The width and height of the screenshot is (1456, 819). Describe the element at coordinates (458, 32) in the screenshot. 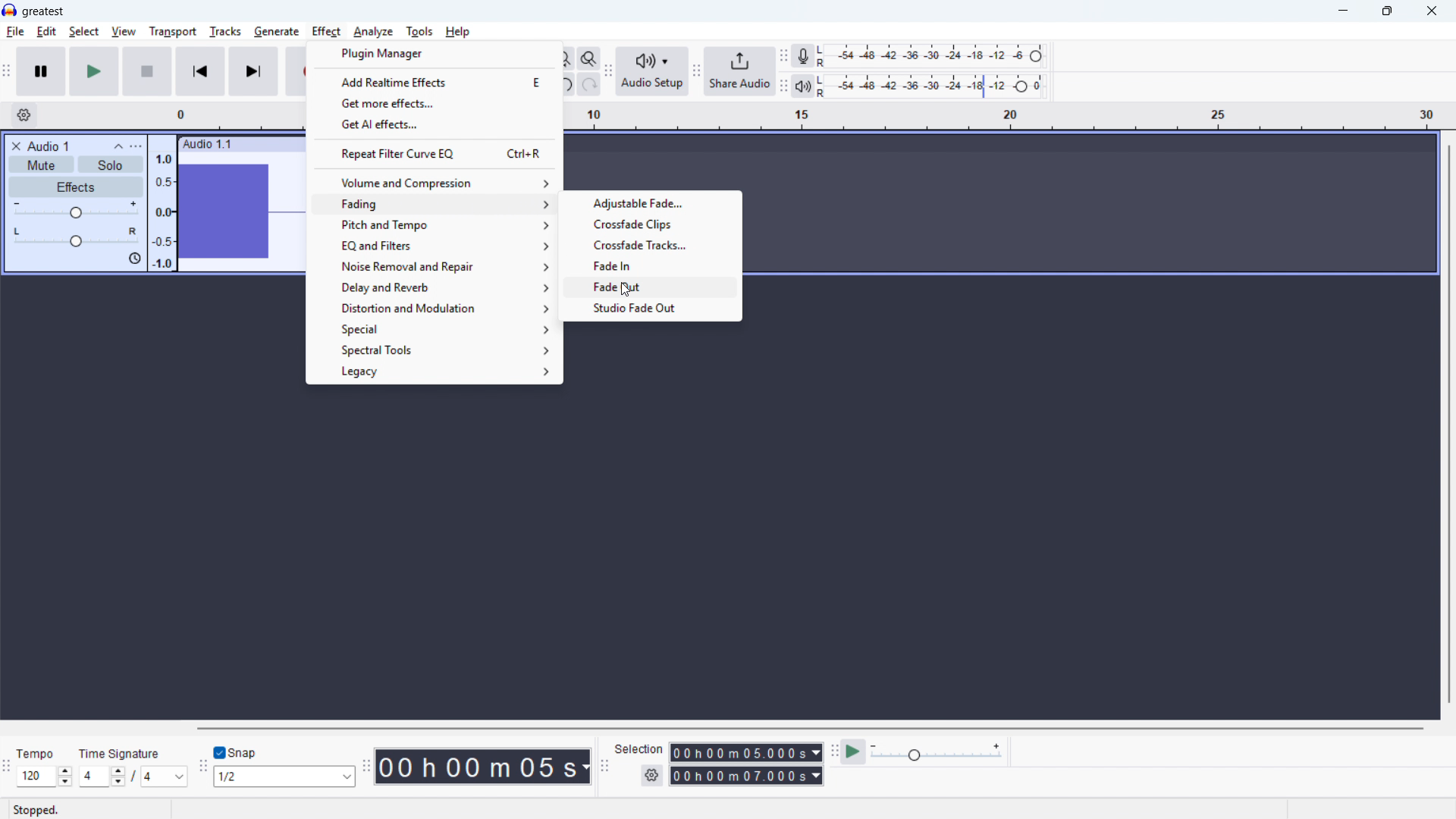

I see `help` at that location.